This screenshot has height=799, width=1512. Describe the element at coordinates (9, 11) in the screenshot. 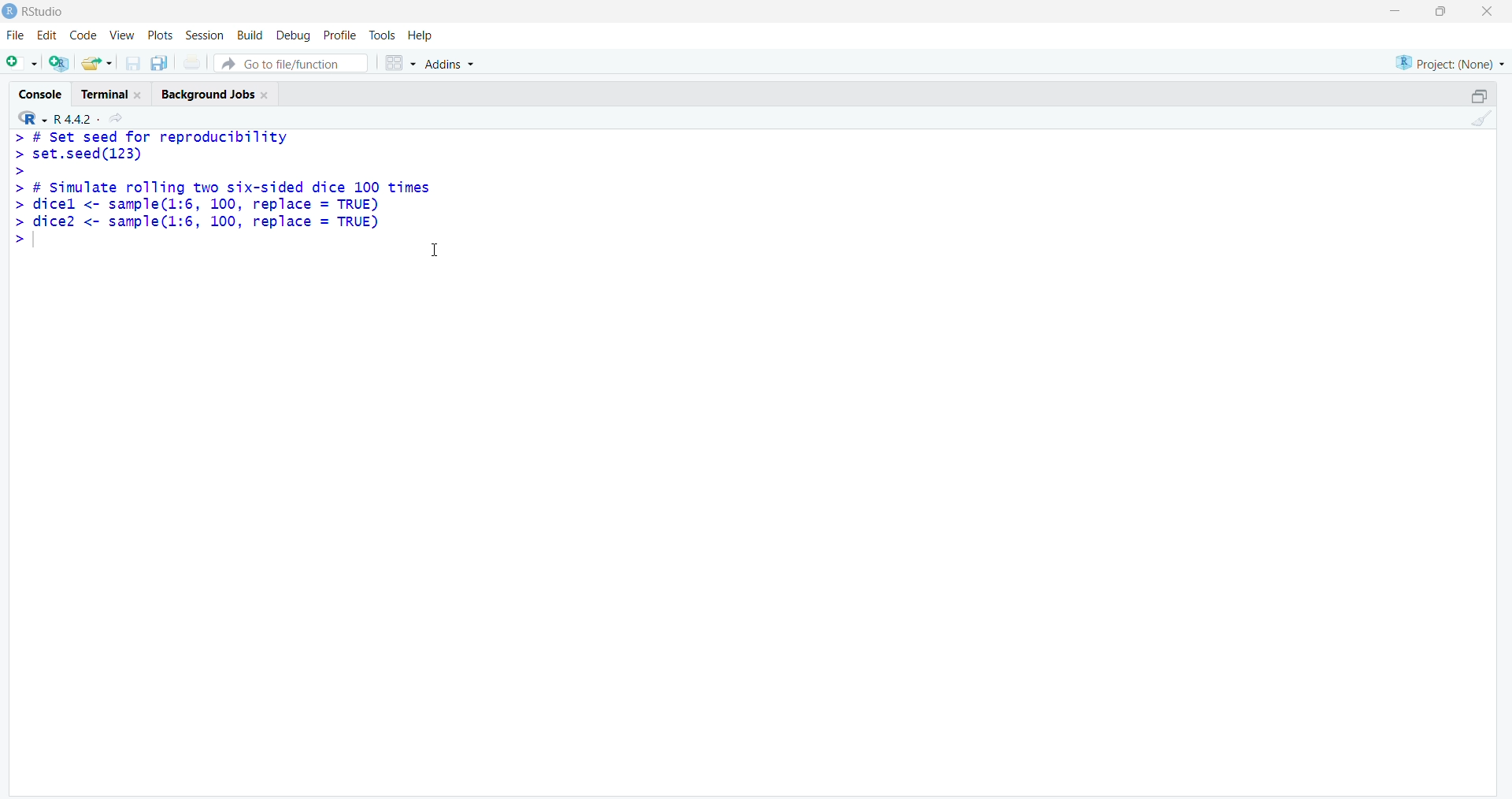

I see `logo` at that location.